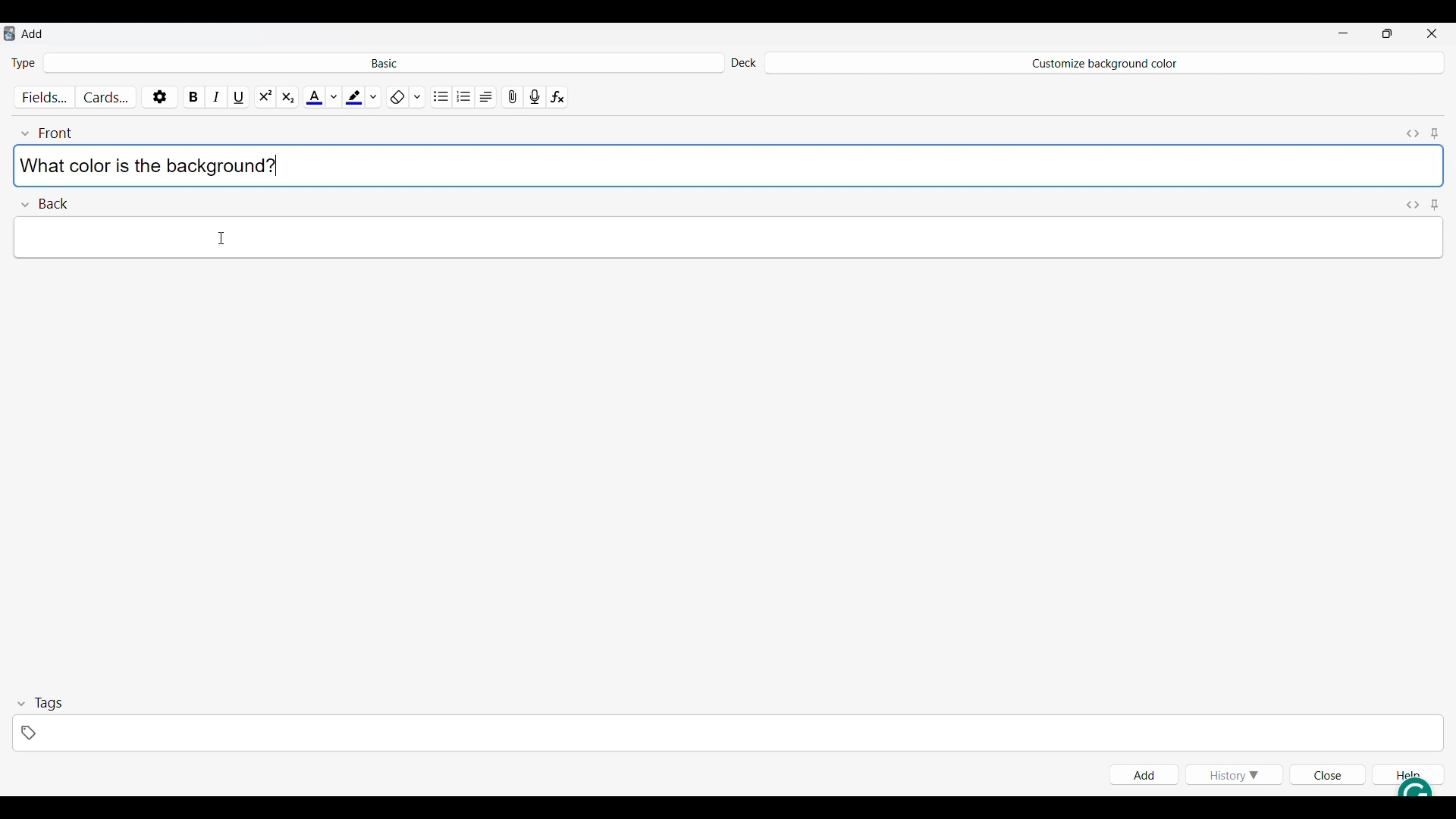 The width and height of the screenshot is (1456, 819). I want to click on Sub script, so click(287, 95).